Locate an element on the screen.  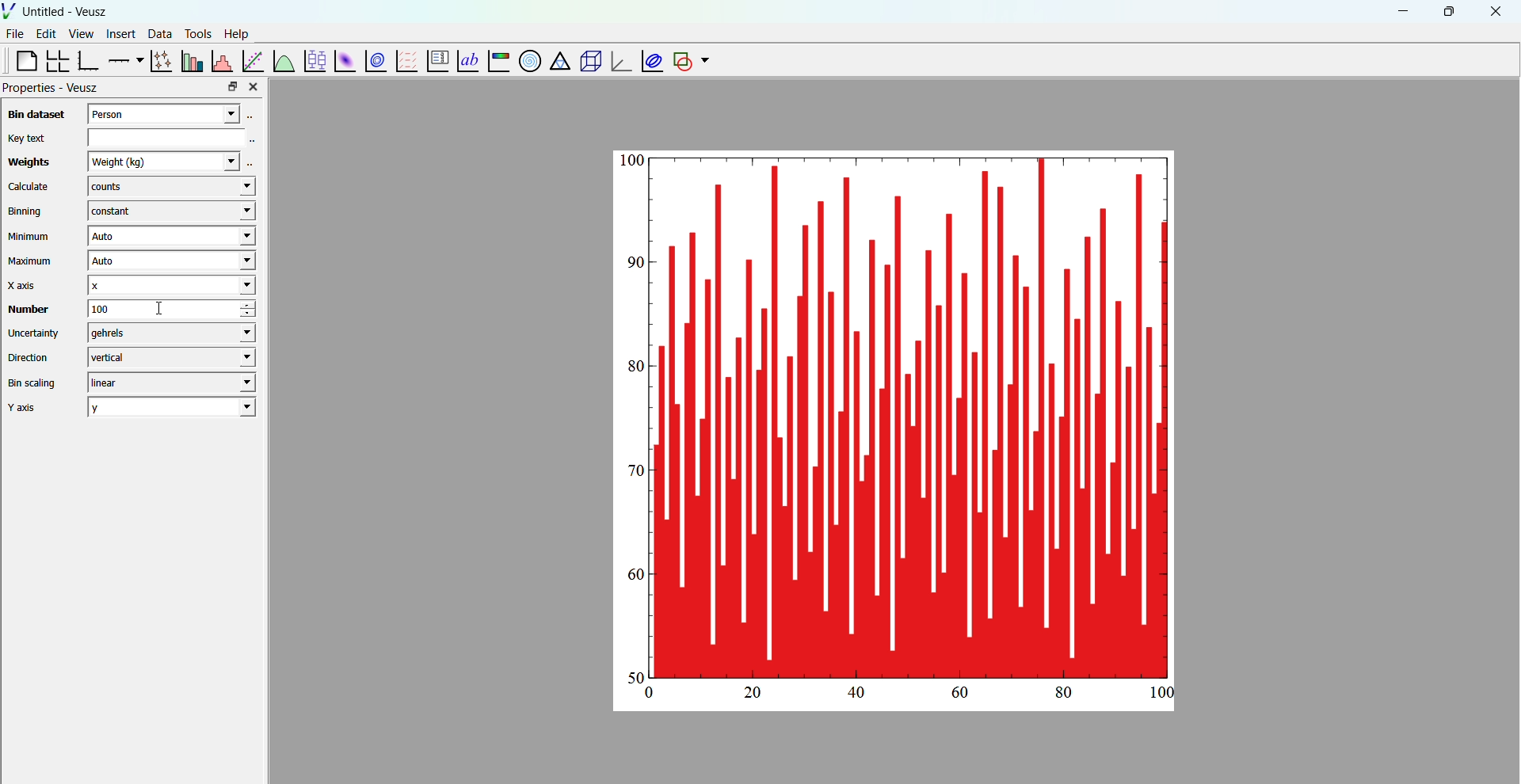
y - y axis drop down is located at coordinates (172, 407).